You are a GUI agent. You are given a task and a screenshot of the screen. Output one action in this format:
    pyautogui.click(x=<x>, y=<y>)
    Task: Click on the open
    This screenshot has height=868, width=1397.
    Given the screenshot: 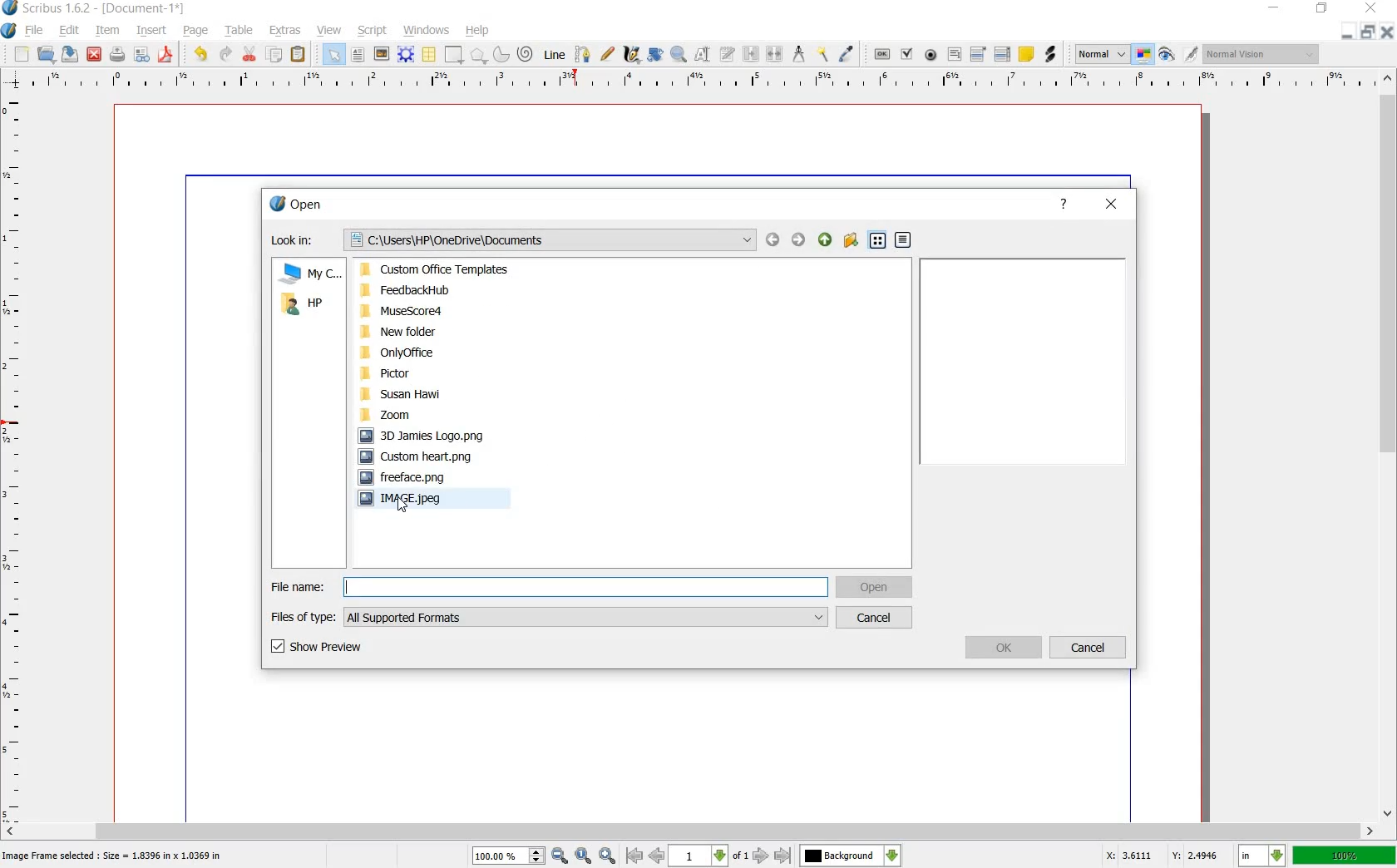 What is the action you would take?
    pyautogui.click(x=304, y=204)
    